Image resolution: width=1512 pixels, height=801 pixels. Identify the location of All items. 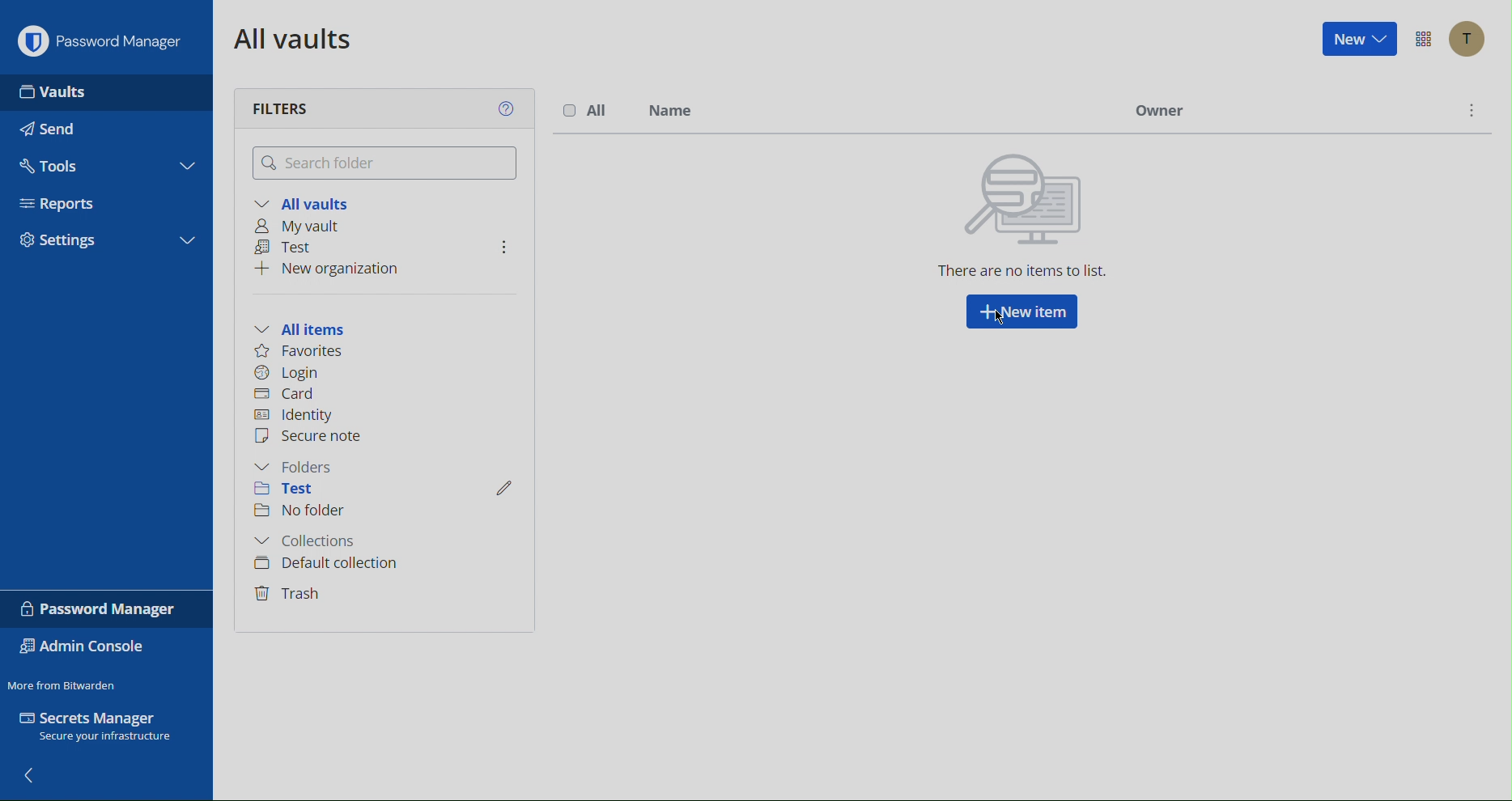
(308, 328).